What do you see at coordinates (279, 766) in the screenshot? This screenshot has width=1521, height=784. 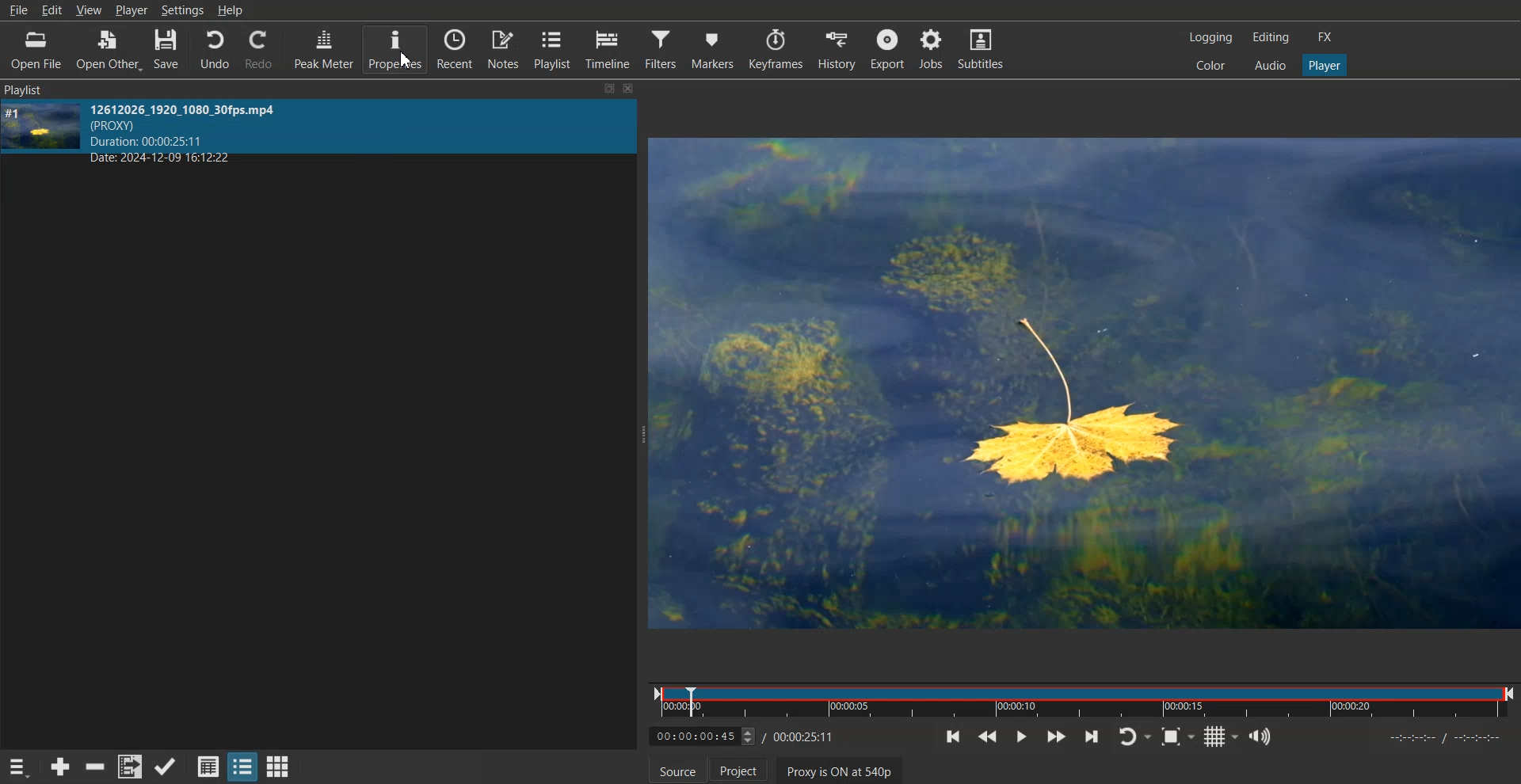 I see `View as Icon` at bounding box center [279, 766].